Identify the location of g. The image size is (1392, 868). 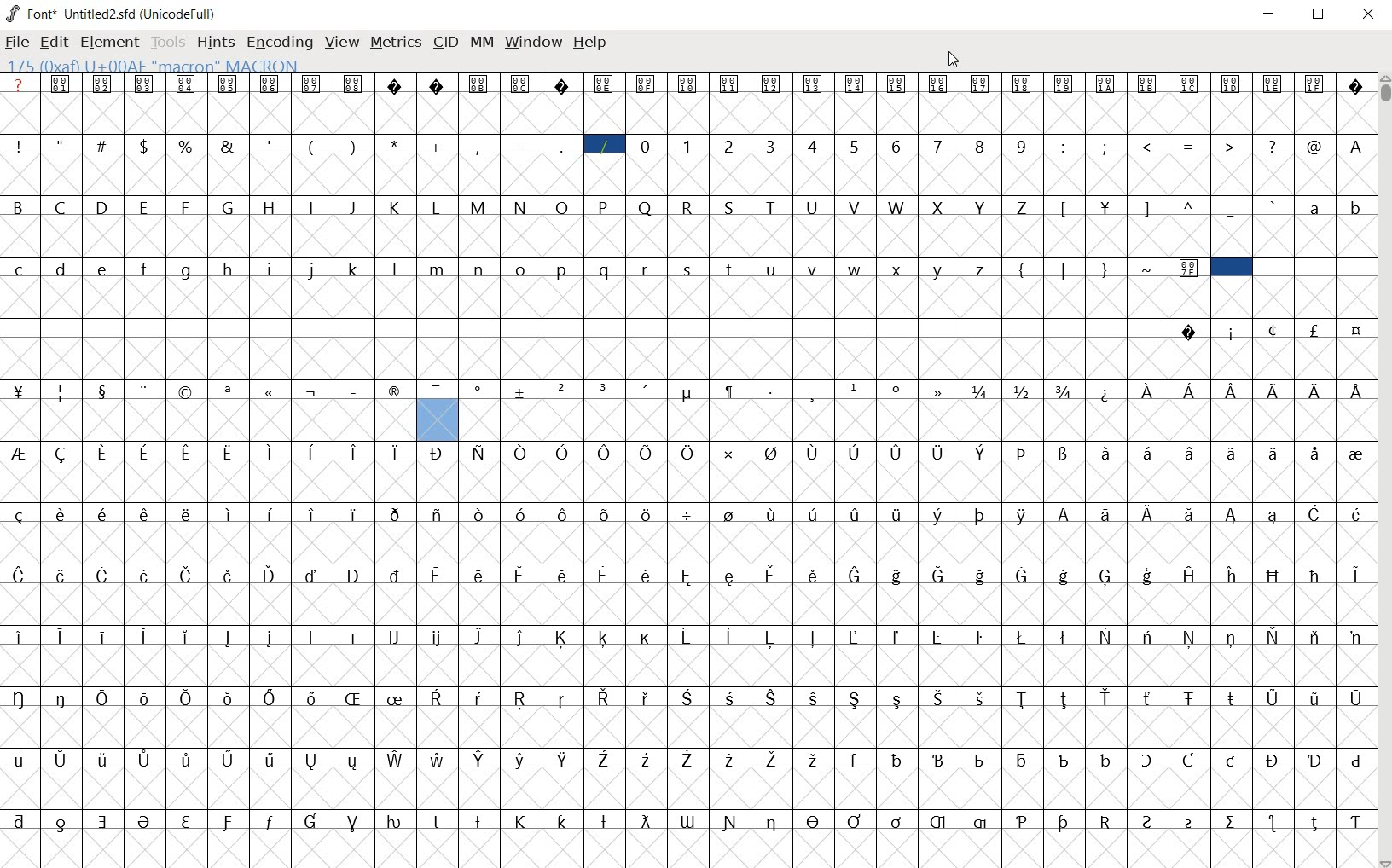
(188, 269).